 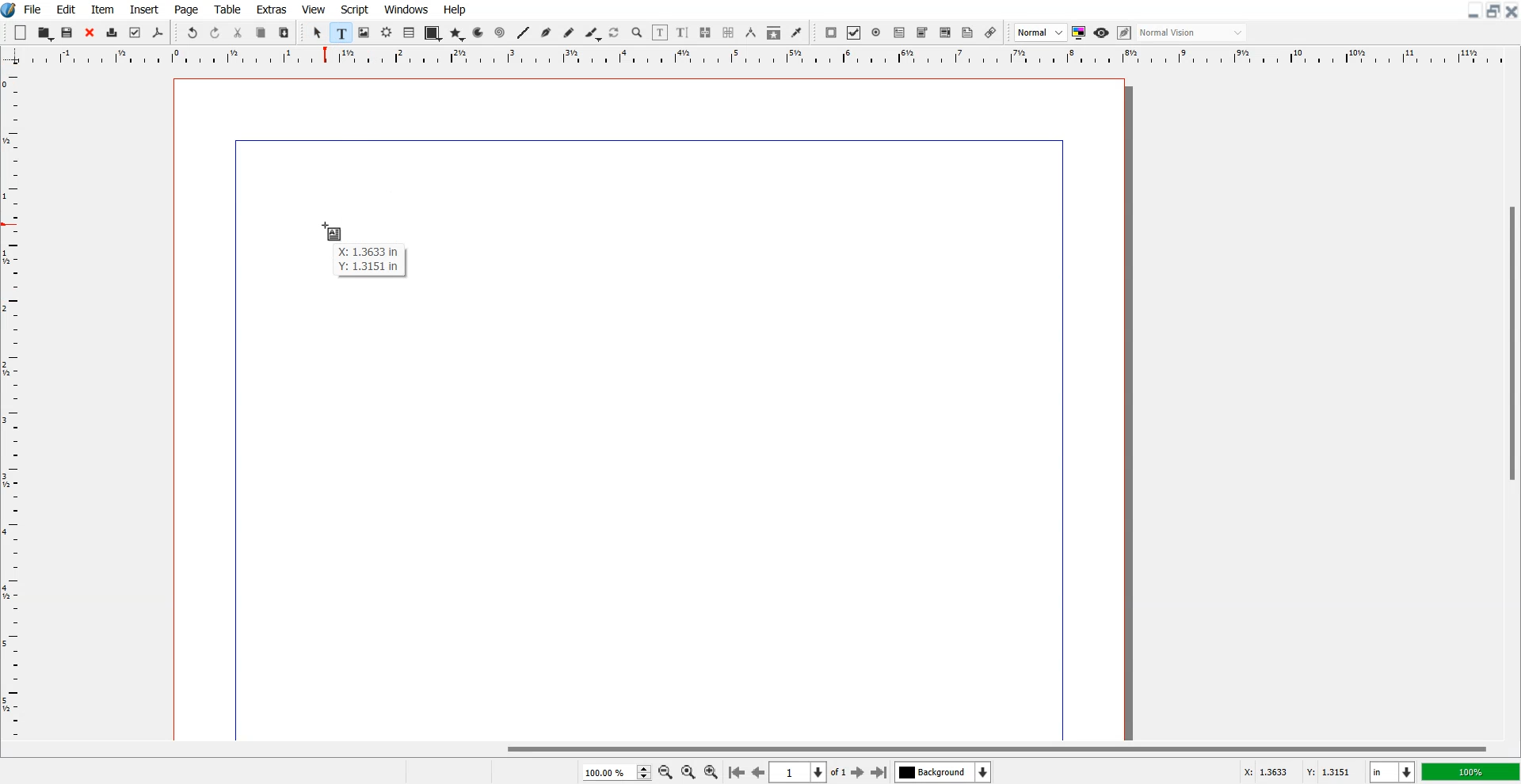 I want to click on Page, so click(x=185, y=10).